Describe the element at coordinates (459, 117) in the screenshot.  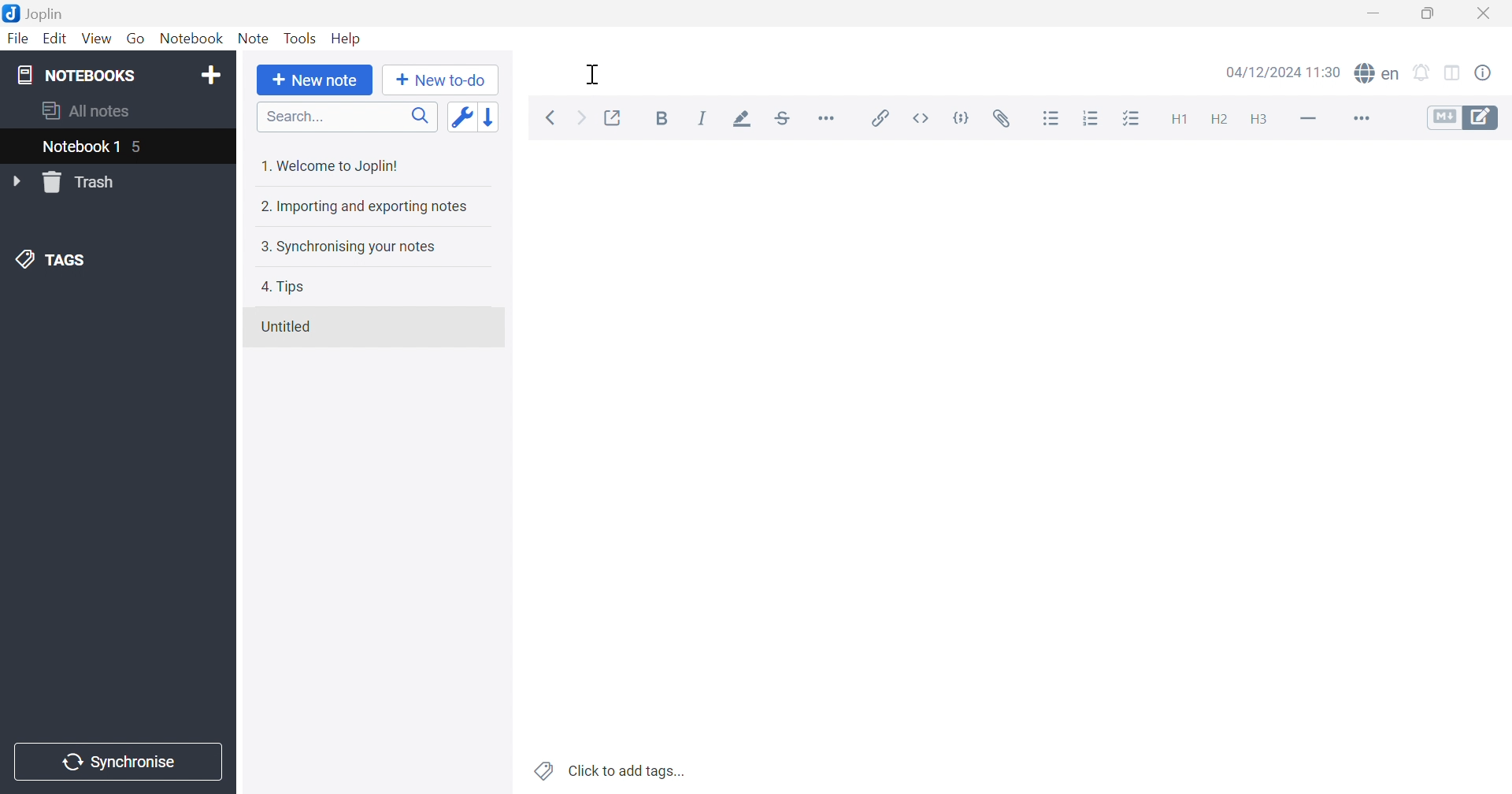
I see `Toggle sort order field` at that location.